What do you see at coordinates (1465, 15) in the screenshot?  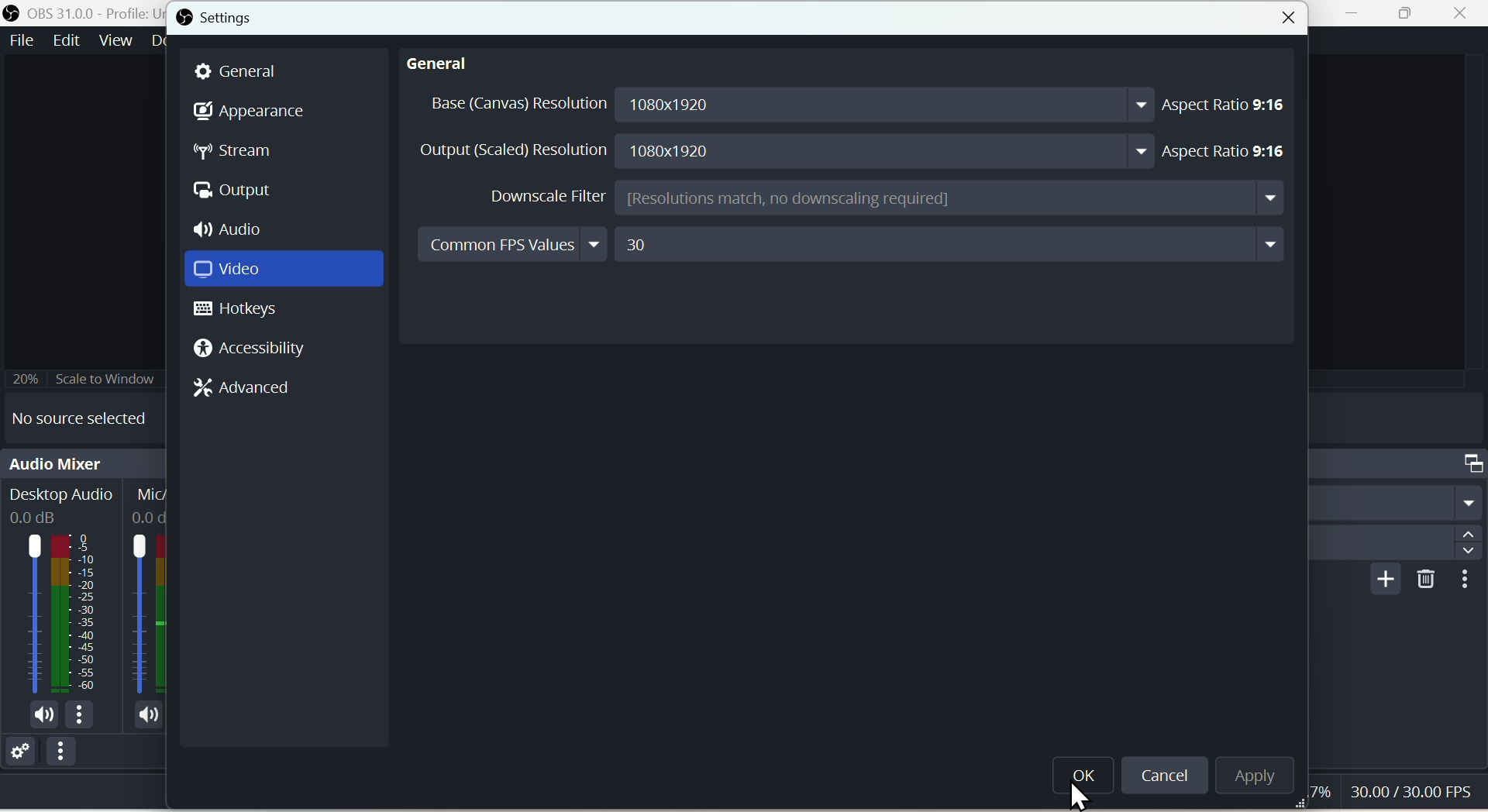 I see `close` at bounding box center [1465, 15].